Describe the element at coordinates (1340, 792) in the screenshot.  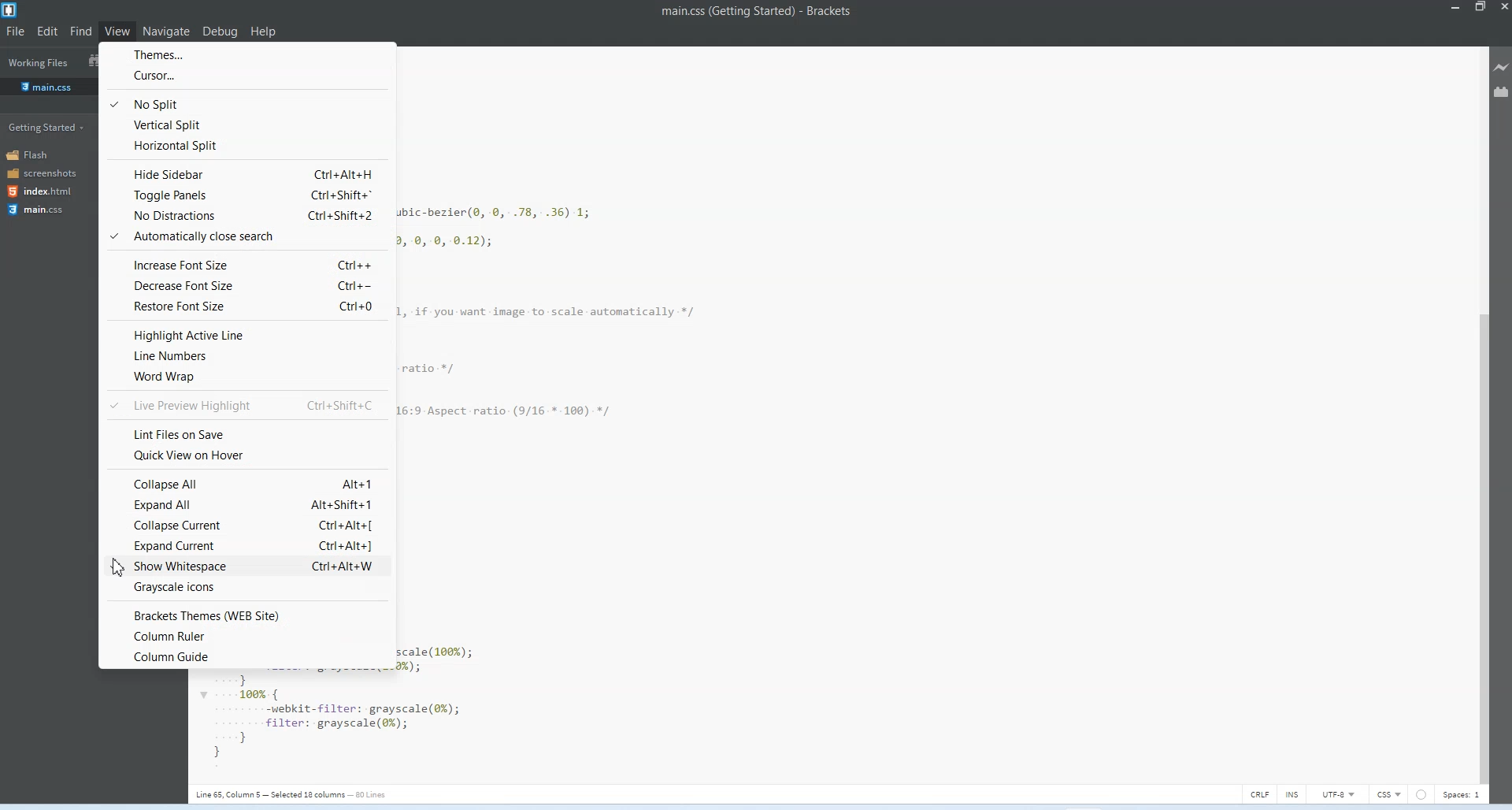
I see `UTF-8` at that location.